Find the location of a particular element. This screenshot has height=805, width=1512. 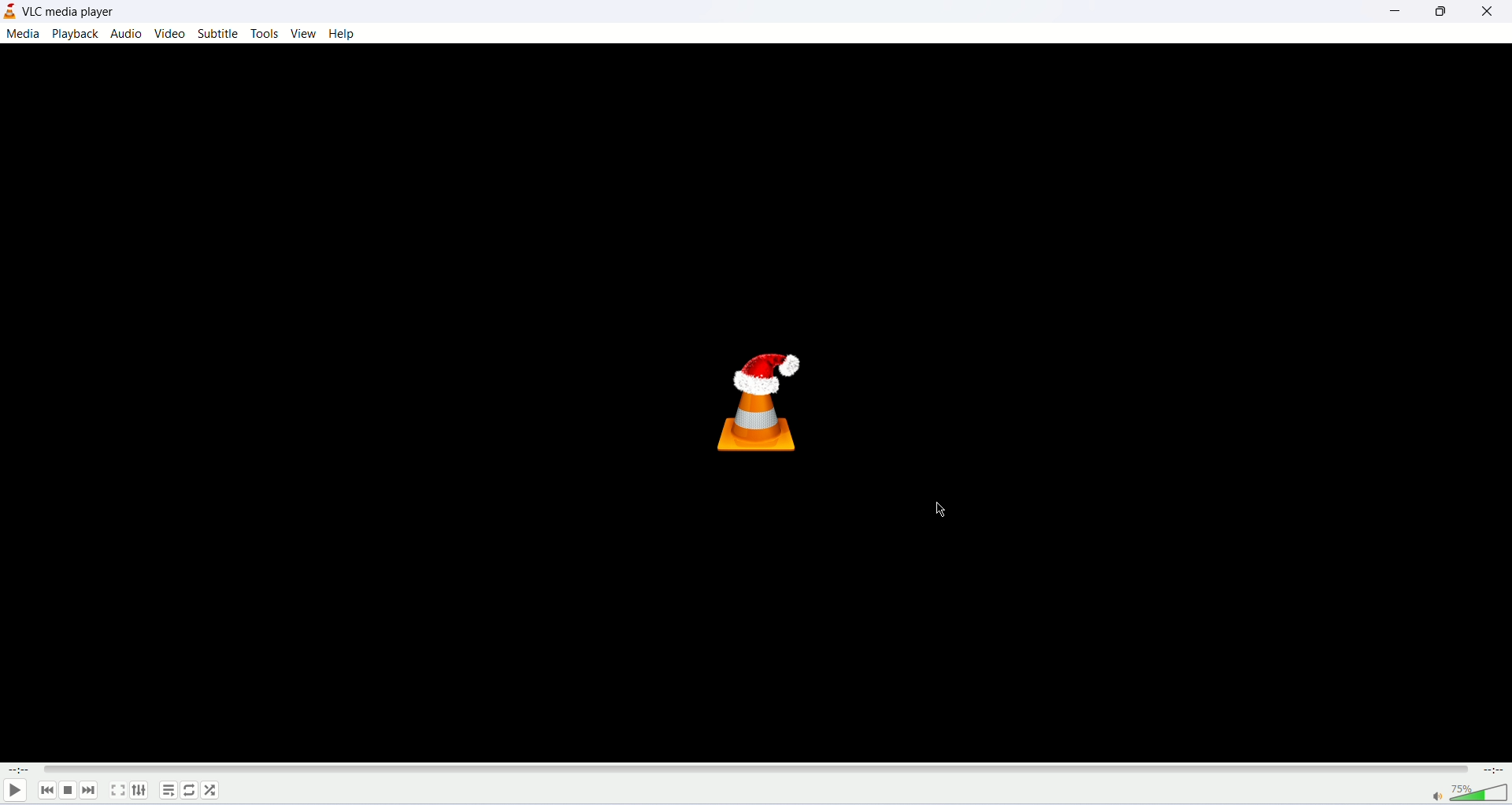

subtitle is located at coordinates (220, 34).